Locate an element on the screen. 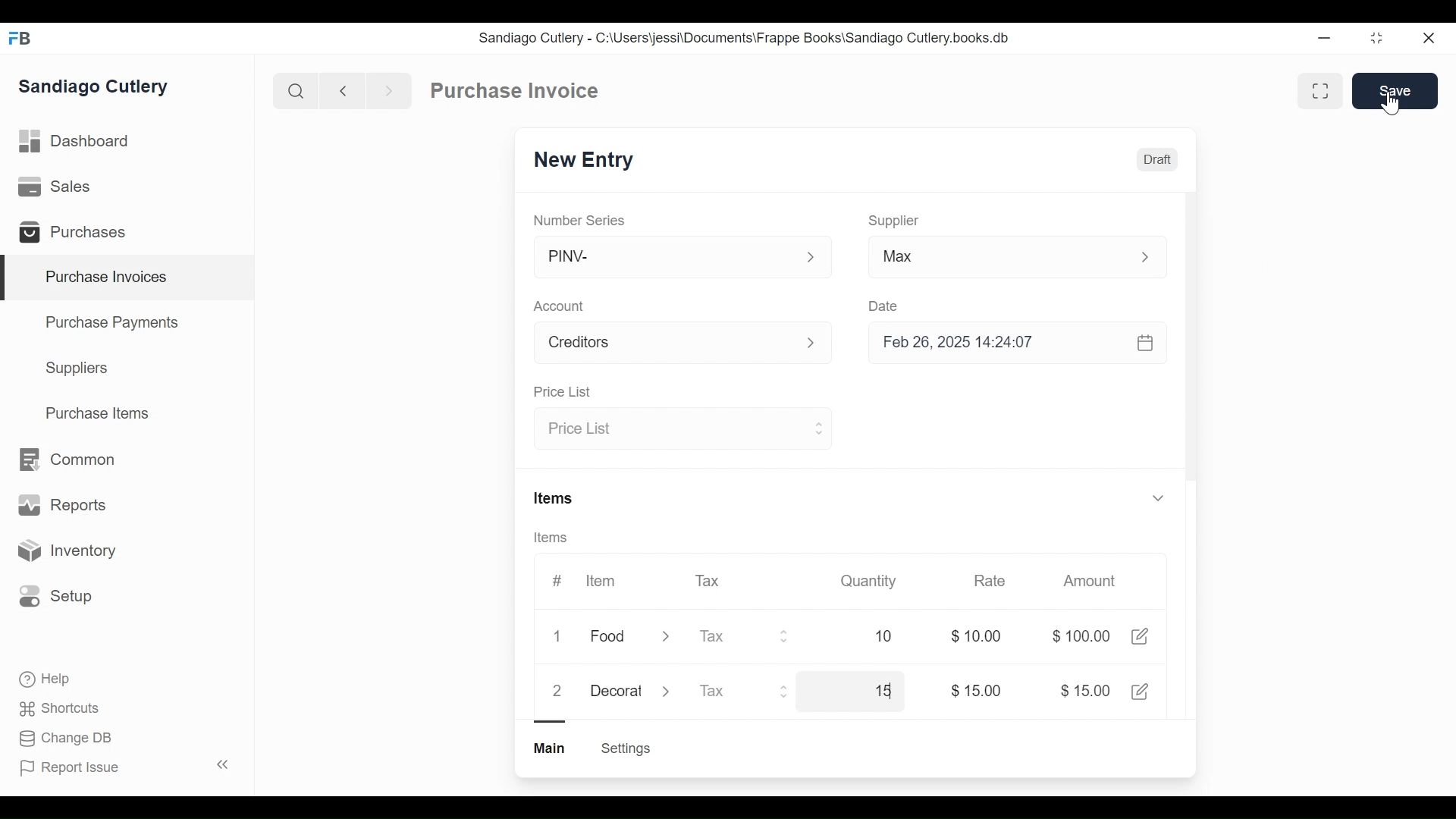 The image size is (1456, 819). cursor is located at coordinates (1389, 99).